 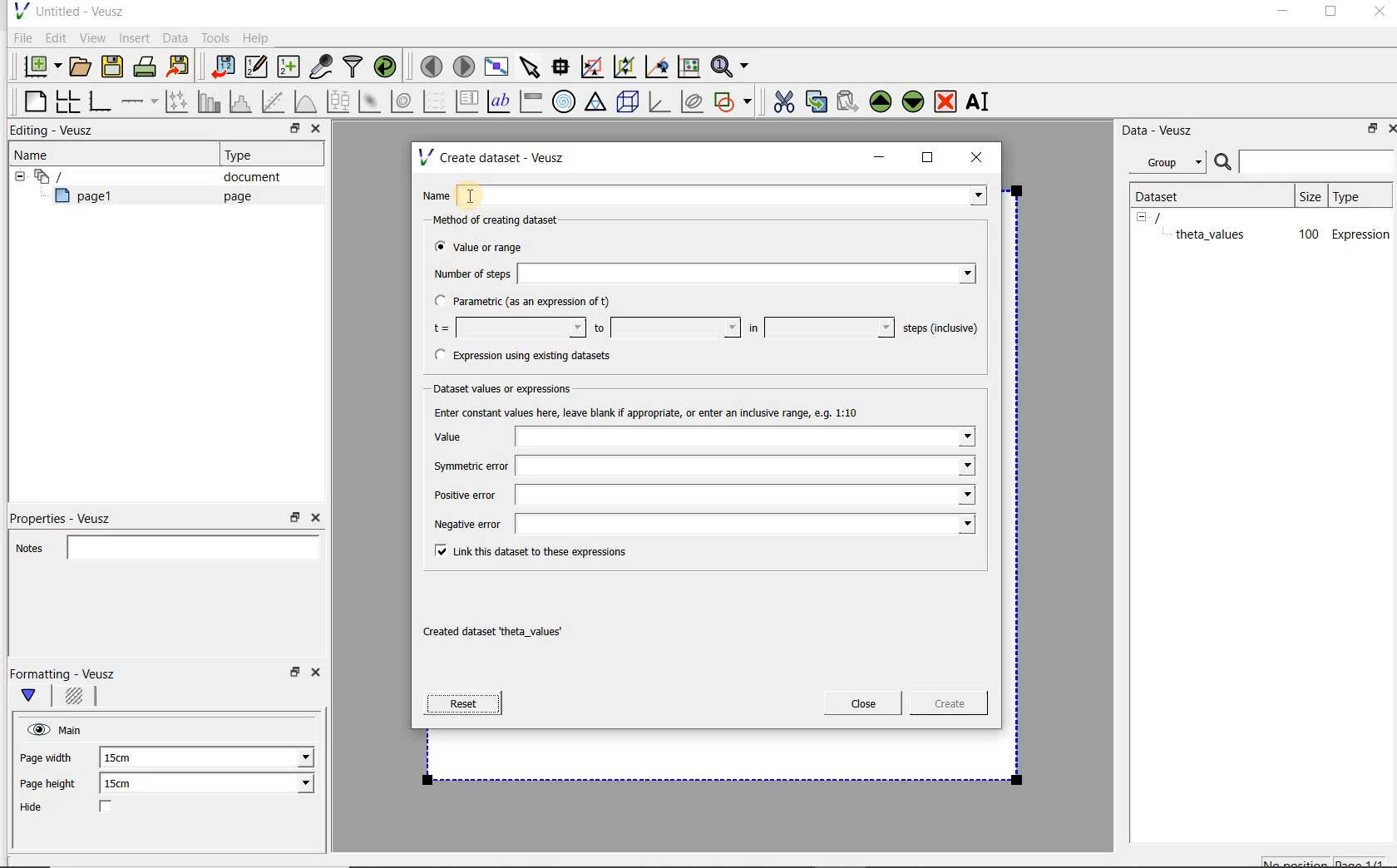 What do you see at coordinates (322, 69) in the screenshot?
I see `capture remote data` at bounding box center [322, 69].